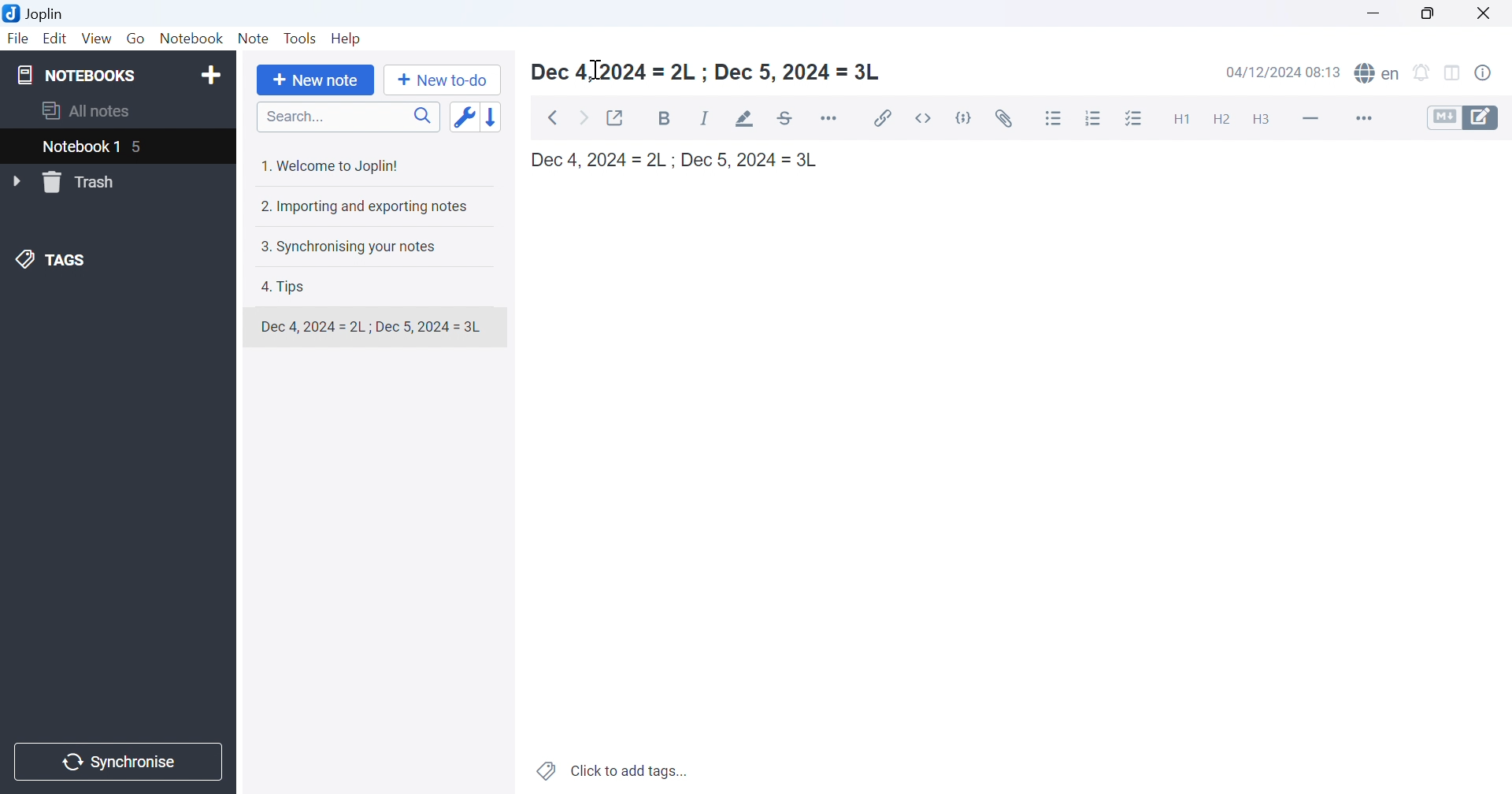  I want to click on Minimize, so click(1376, 10).